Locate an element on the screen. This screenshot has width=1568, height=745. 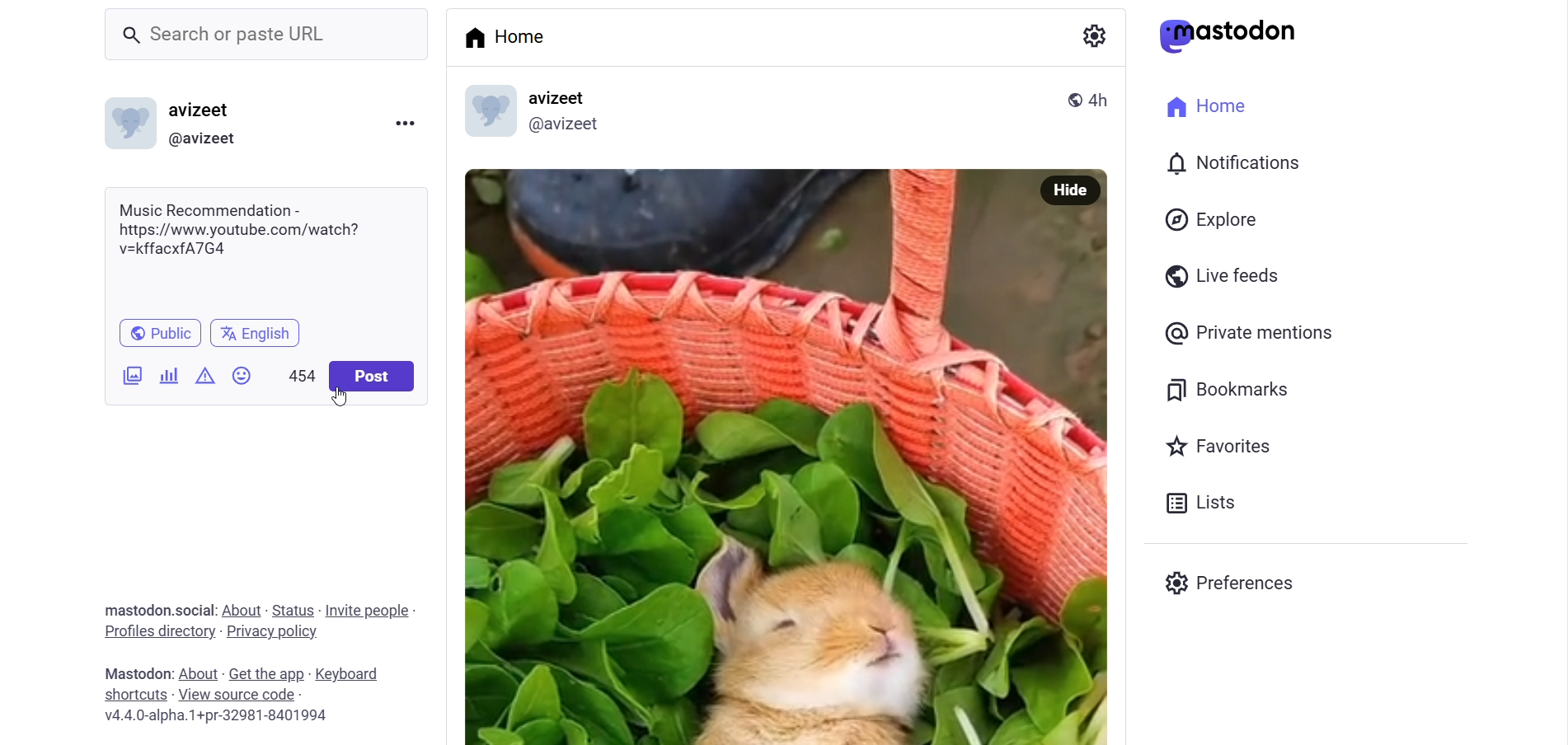
Lists is located at coordinates (1199, 501).